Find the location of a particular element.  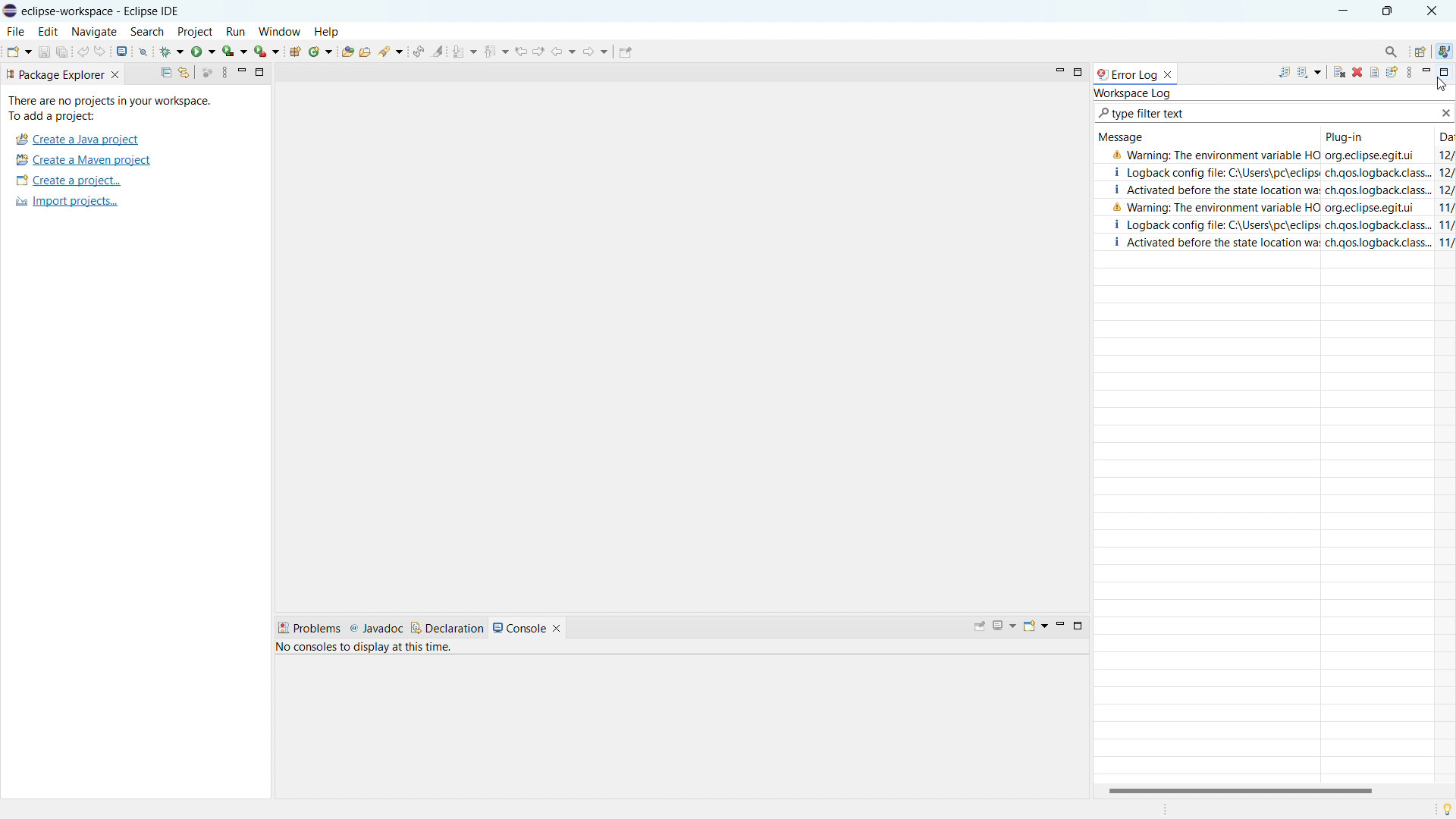

delere is located at coordinates (1445, 112).